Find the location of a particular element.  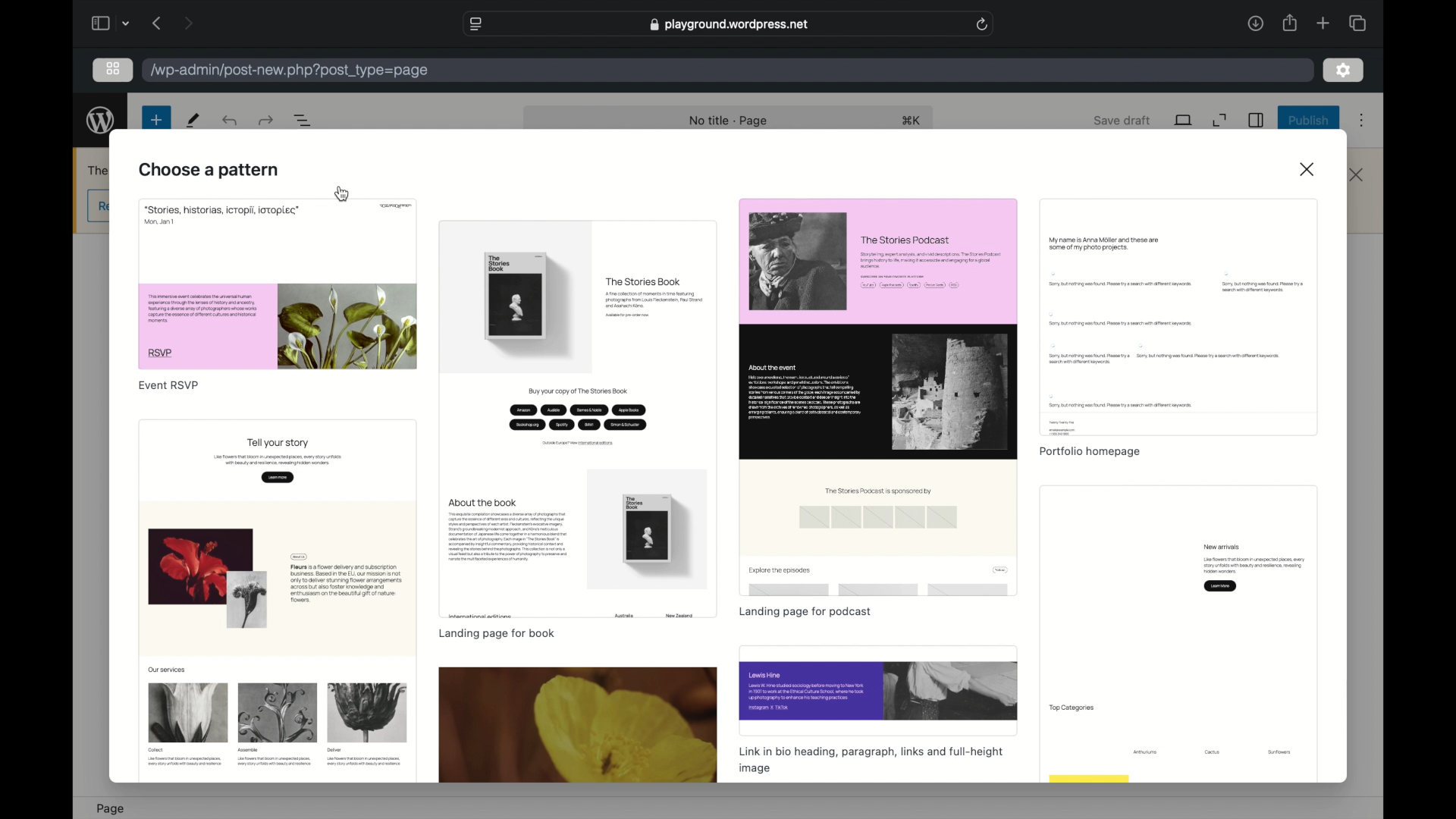

refresh is located at coordinates (983, 25).